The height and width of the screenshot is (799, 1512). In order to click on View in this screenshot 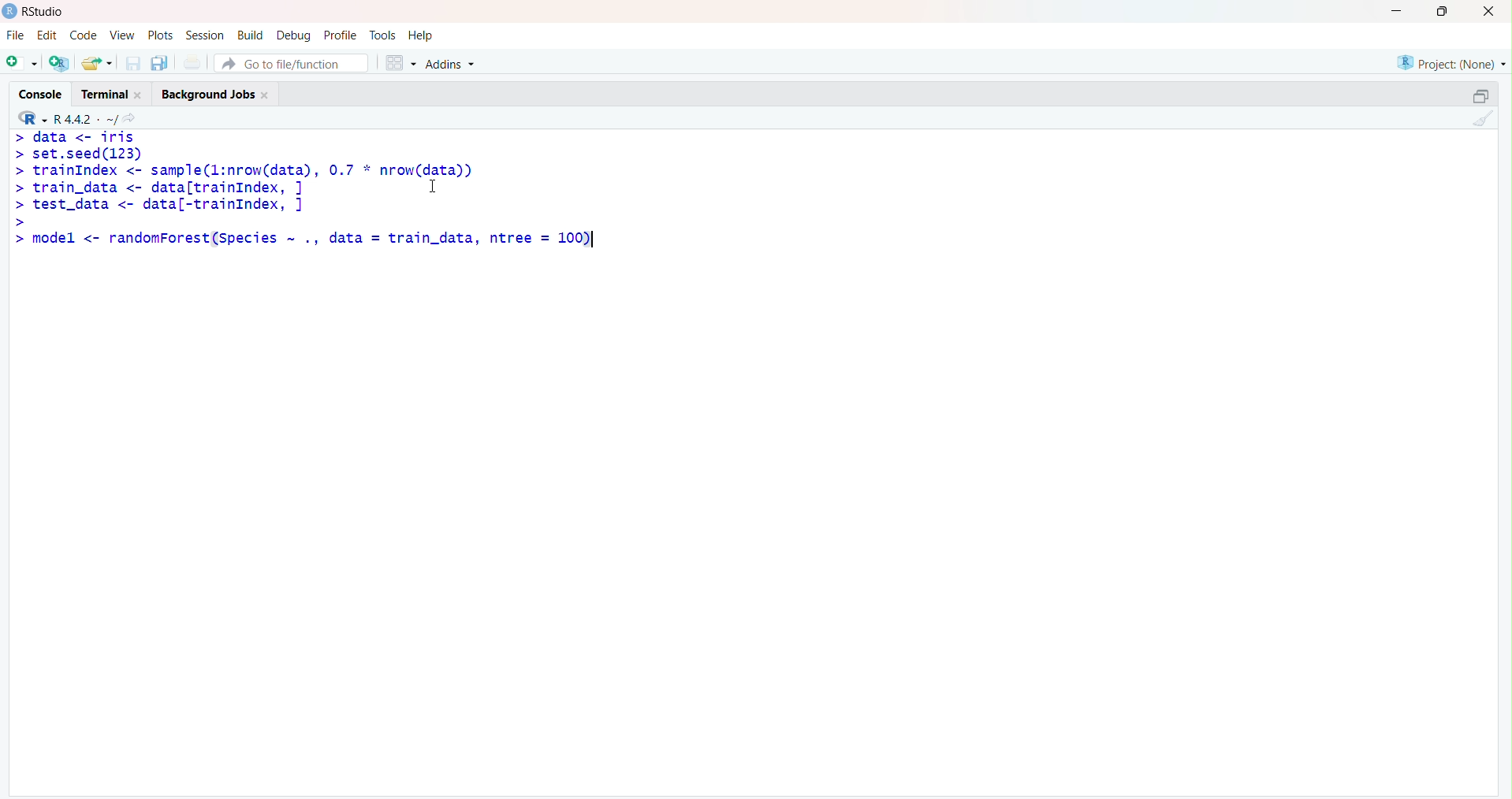, I will do `click(121, 35)`.